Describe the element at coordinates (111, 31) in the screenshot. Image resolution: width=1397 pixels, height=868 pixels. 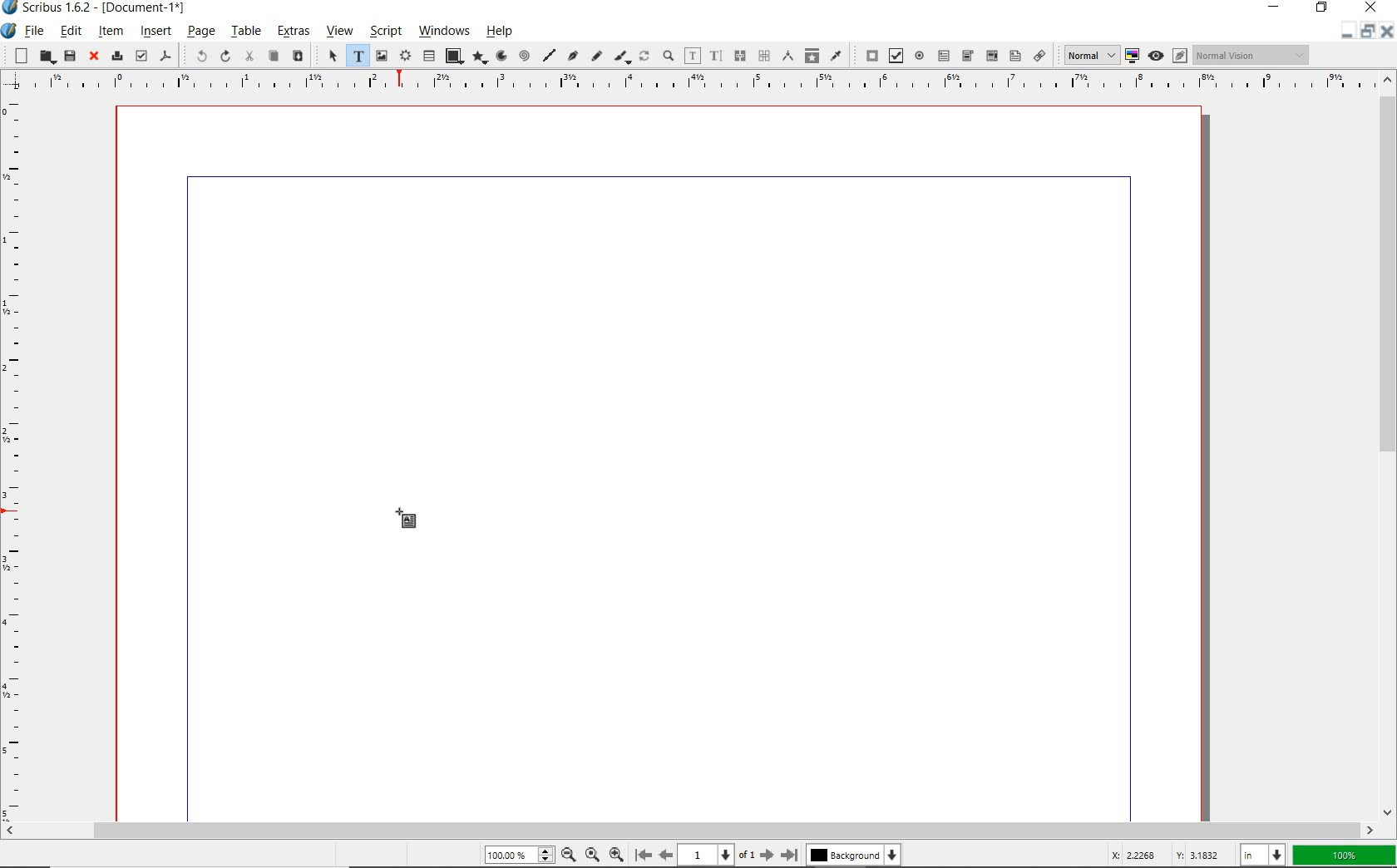
I see `item` at that location.